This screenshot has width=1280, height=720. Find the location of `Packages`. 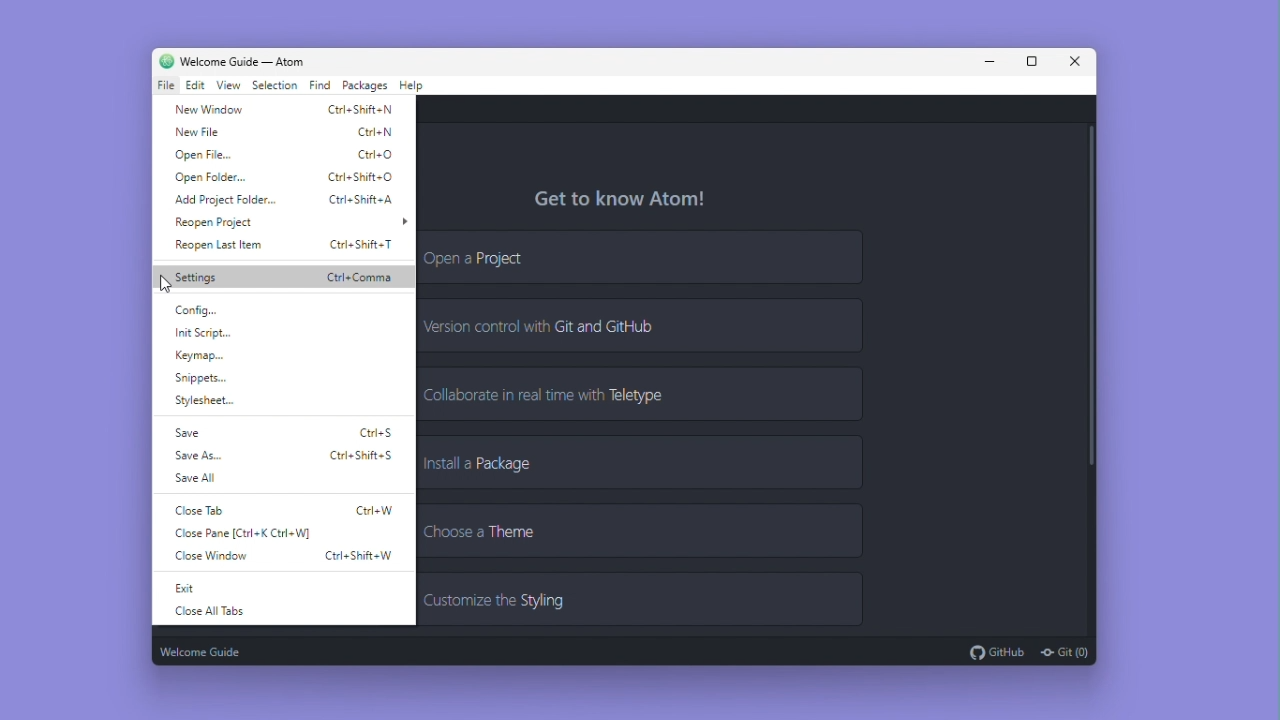

Packages is located at coordinates (365, 85).